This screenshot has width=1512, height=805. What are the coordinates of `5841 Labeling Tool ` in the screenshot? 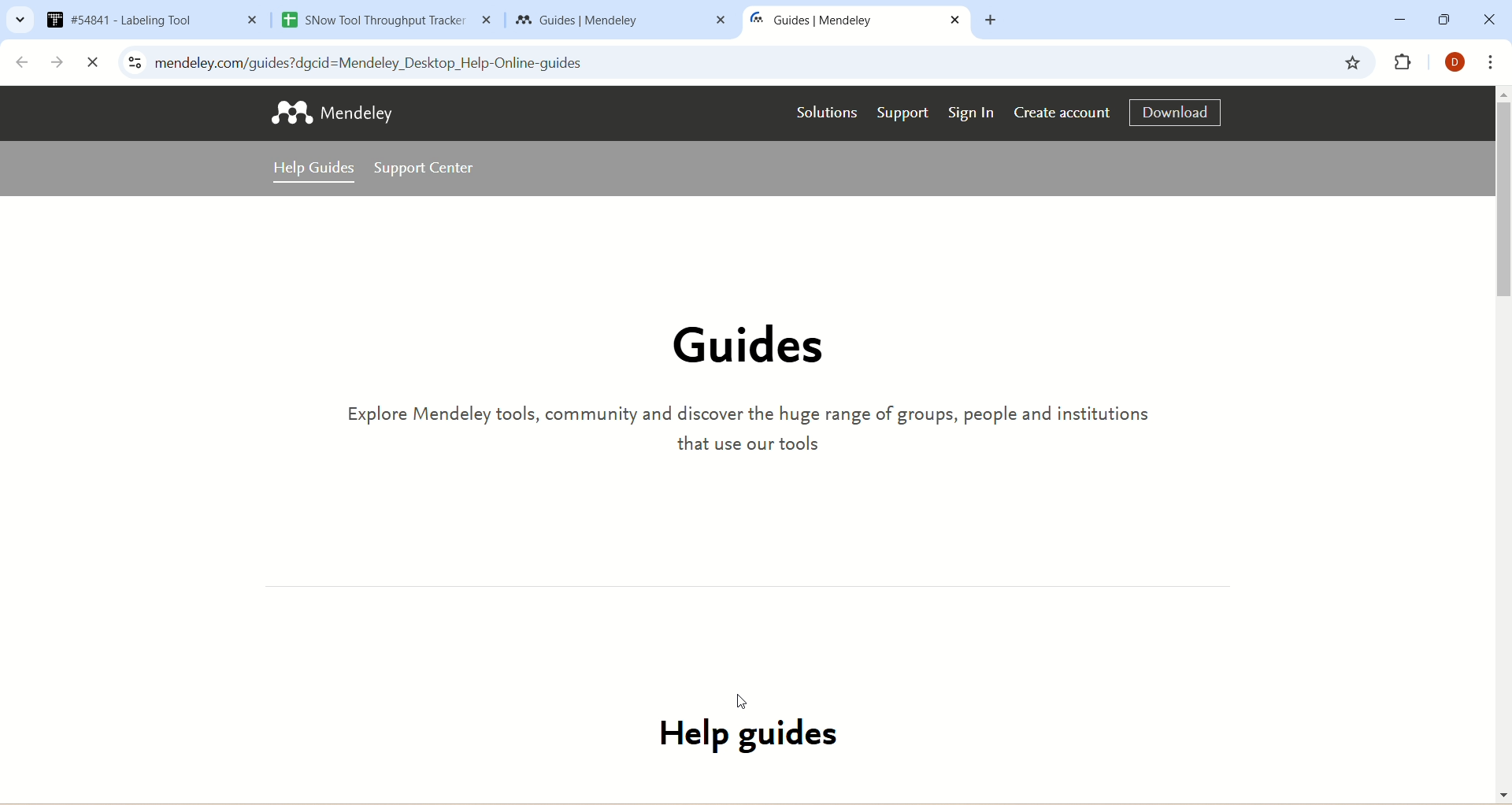 It's located at (150, 22).